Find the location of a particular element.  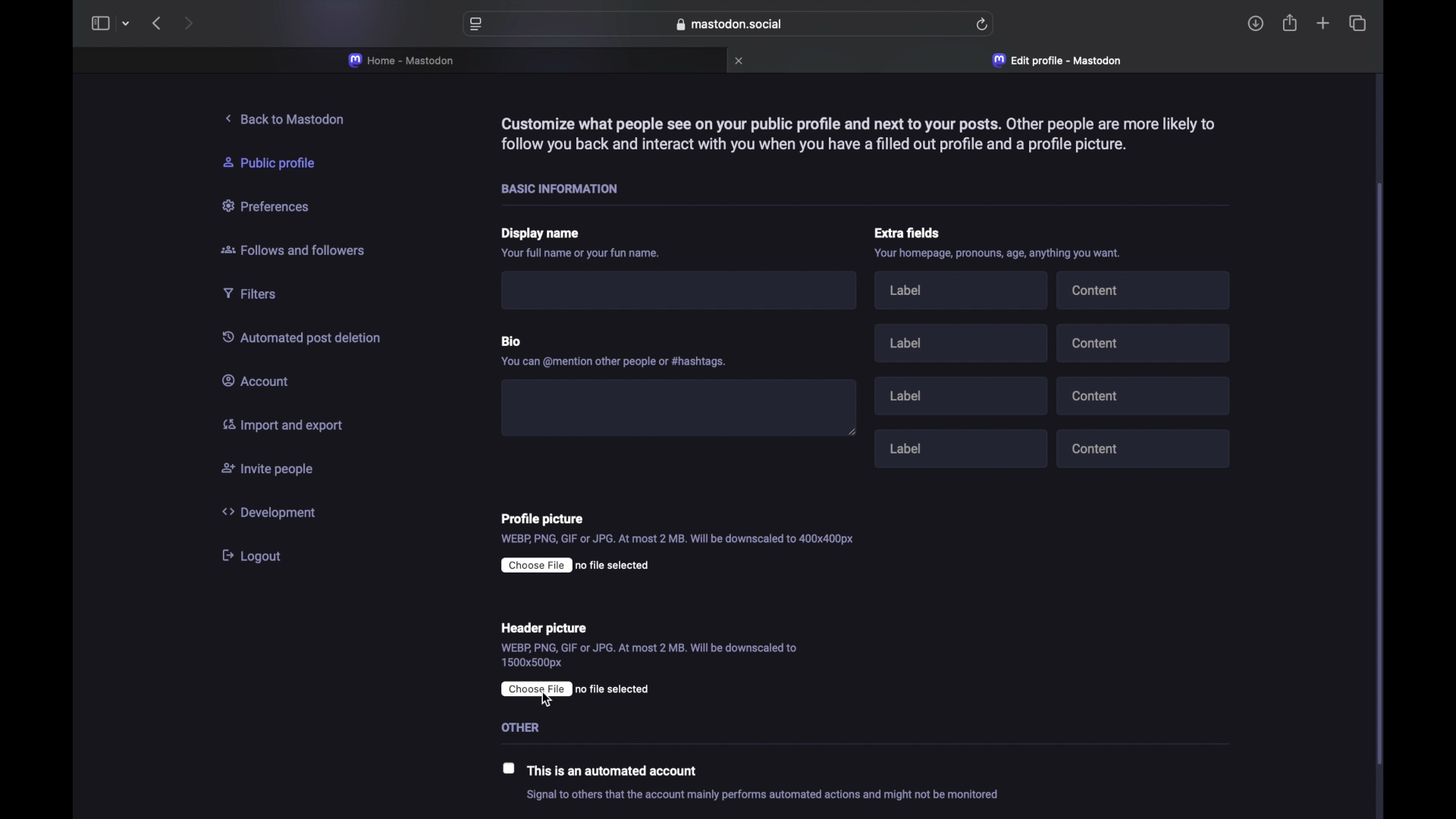

show tab overview is located at coordinates (1357, 23).